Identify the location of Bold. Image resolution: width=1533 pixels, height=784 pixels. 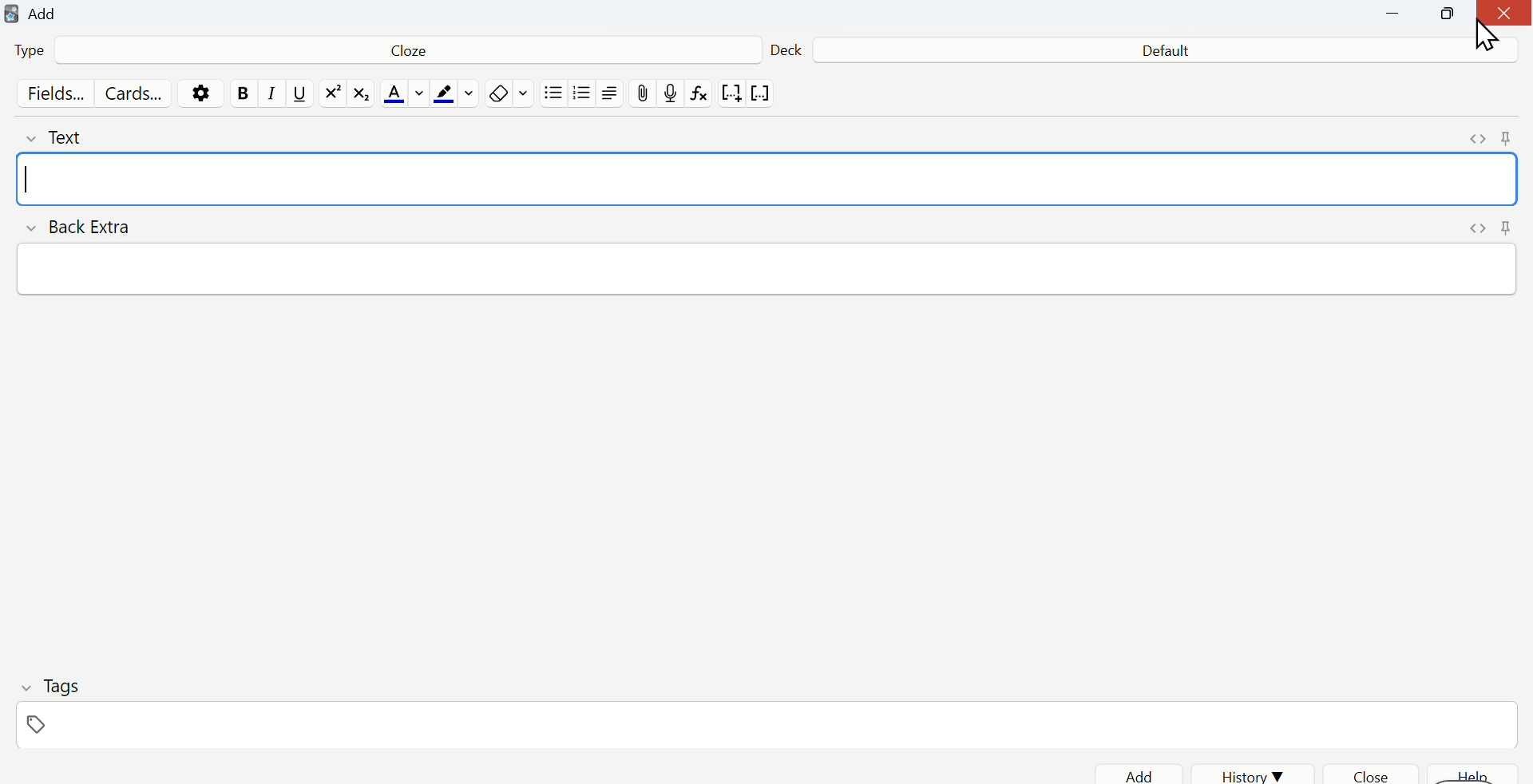
(243, 93).